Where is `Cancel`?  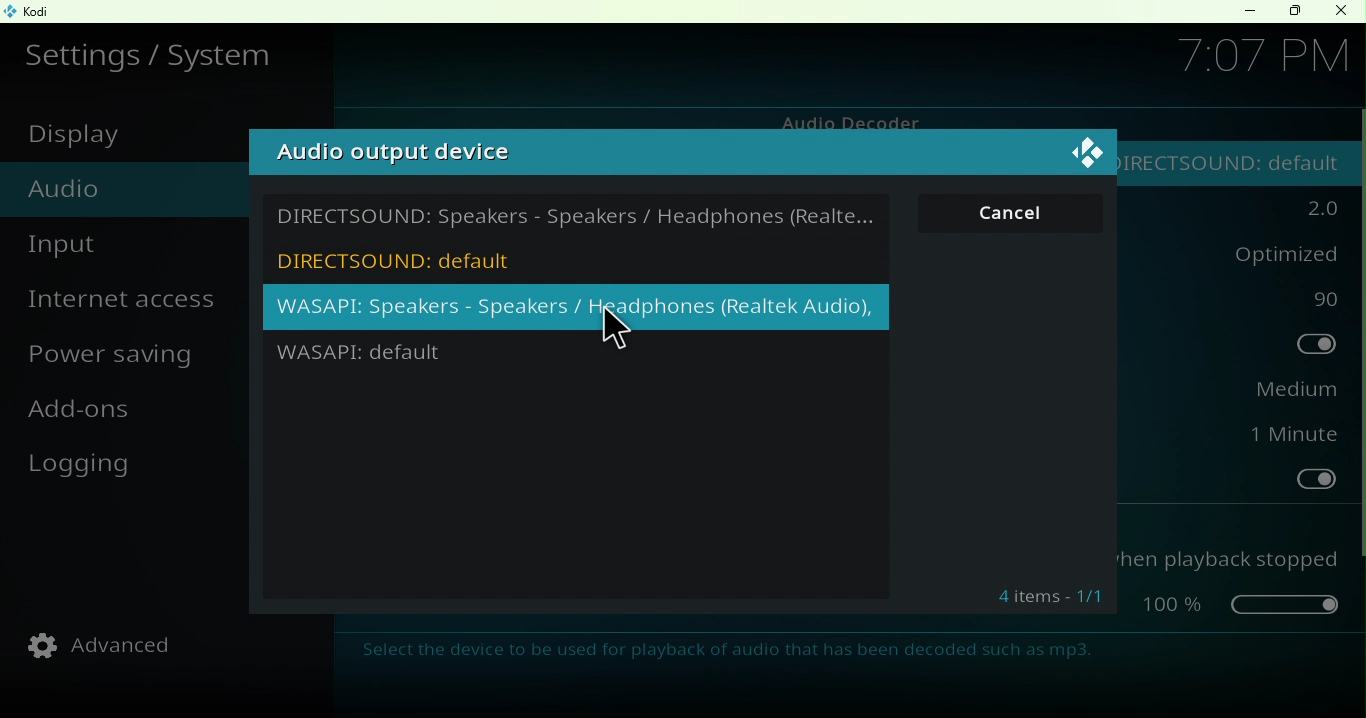 Cancel is located at coordinates (1012, 212).